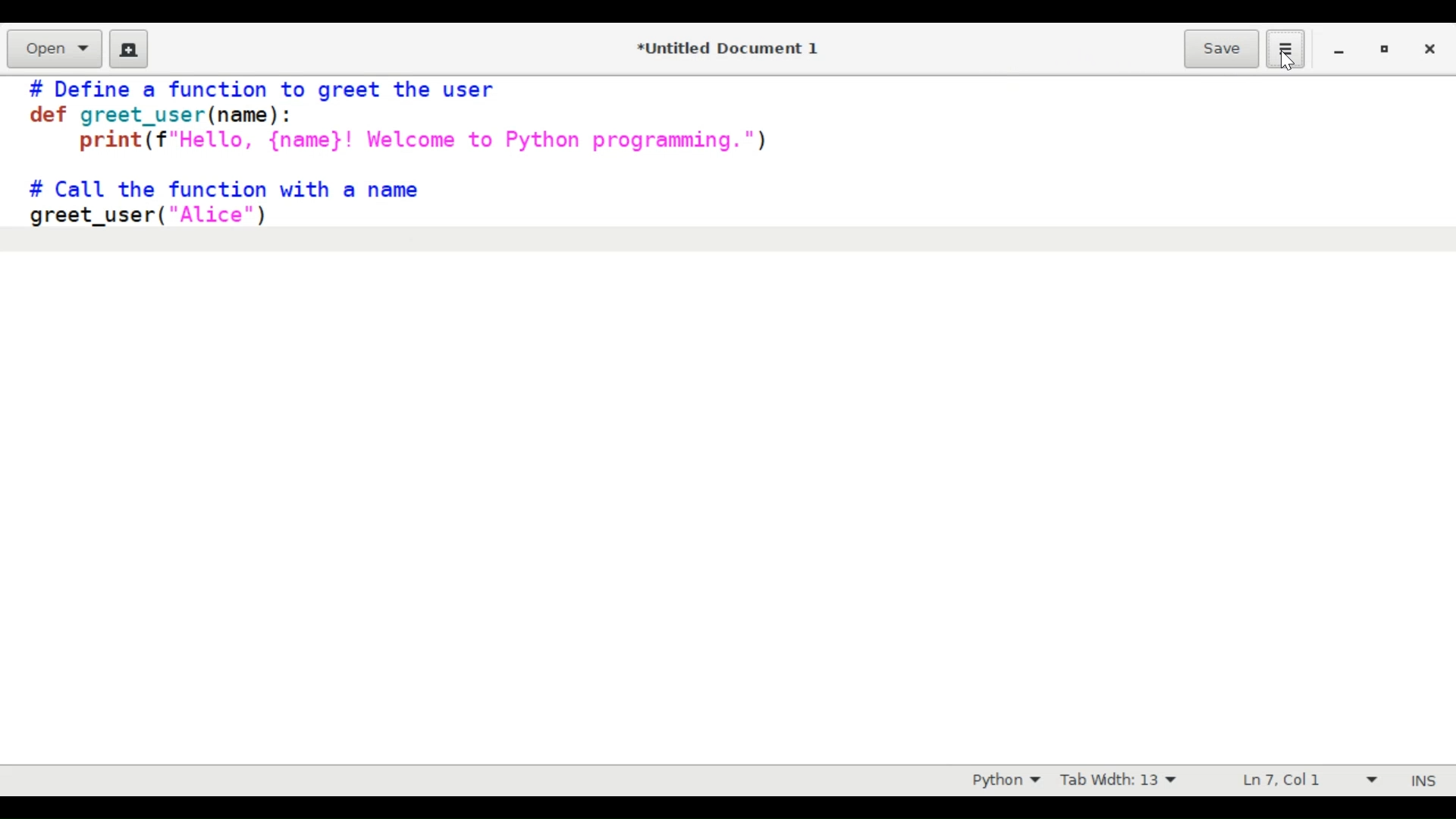 This screenshot has height=819, width=1456. What do you see at coordinates (1223, 48) in the screenshot?
I see `Save` at bounding box center [1223, 48].